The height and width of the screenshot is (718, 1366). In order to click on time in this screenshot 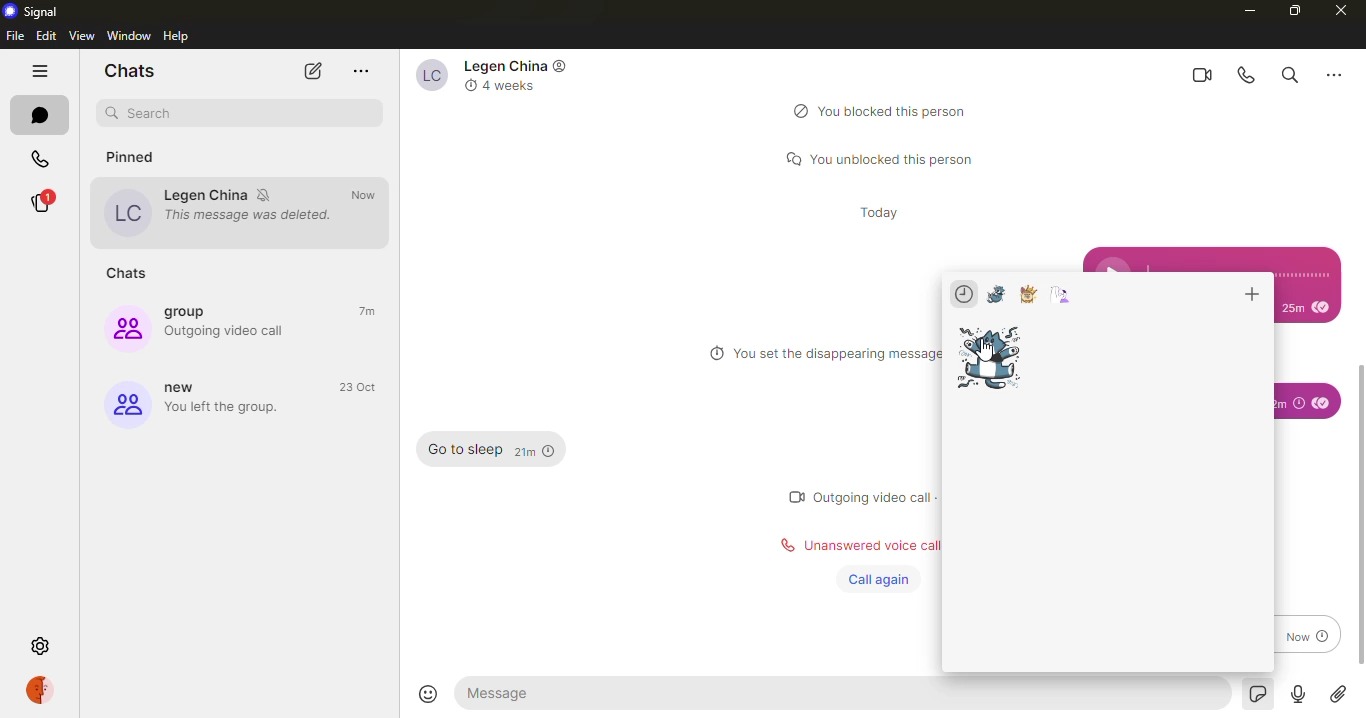, I will do `click(535, 452)`.